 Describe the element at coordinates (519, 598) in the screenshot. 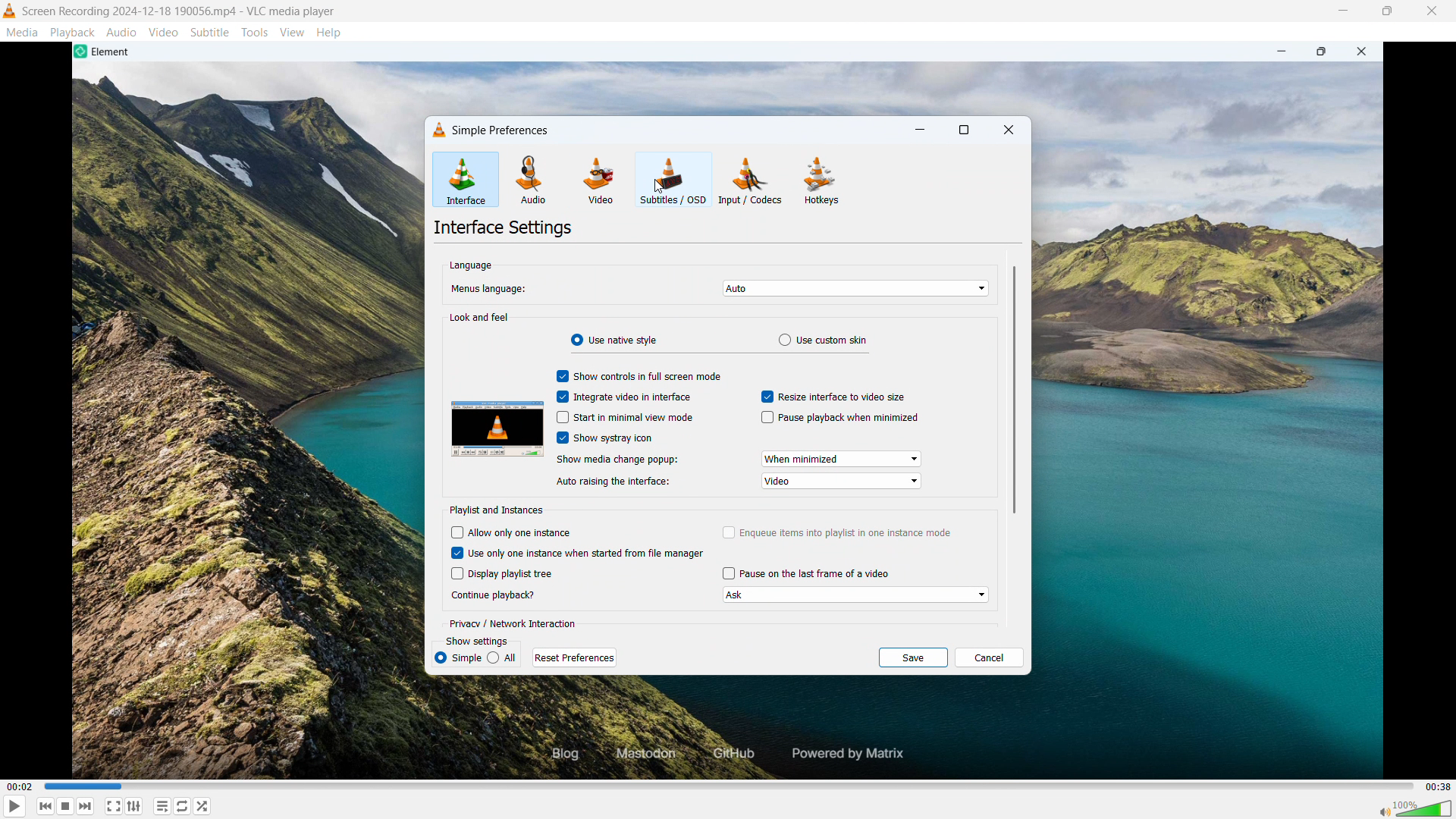

I see `continue playback` at that location.